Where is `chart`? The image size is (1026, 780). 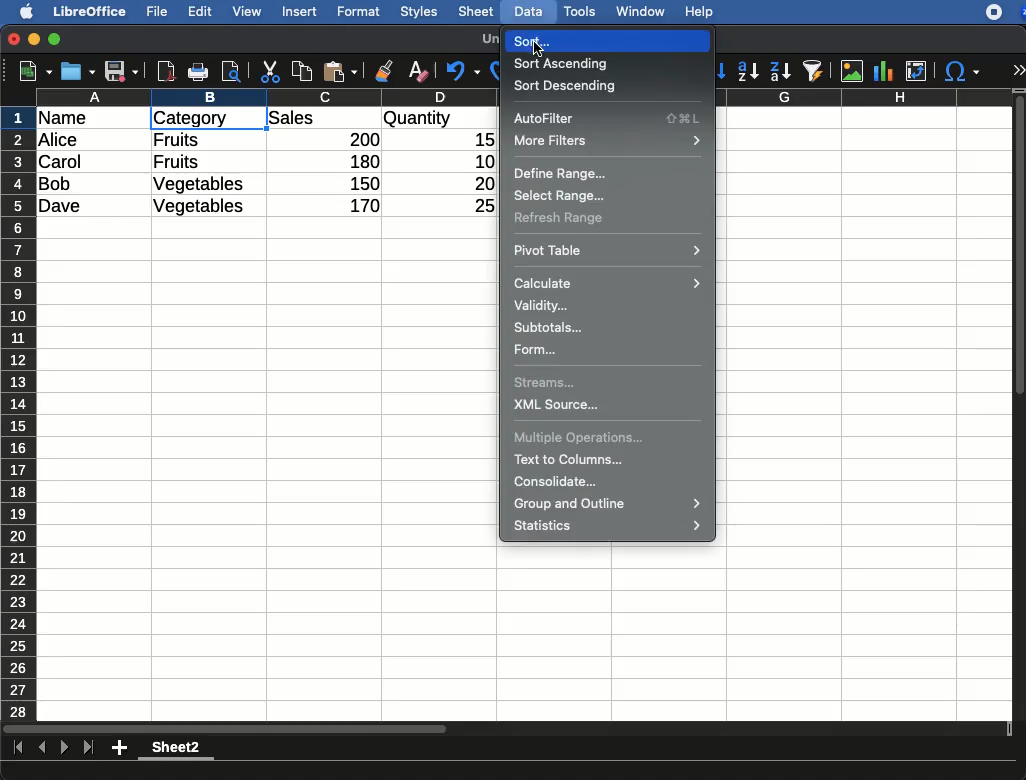
chart is located at coordinates (884, 71).